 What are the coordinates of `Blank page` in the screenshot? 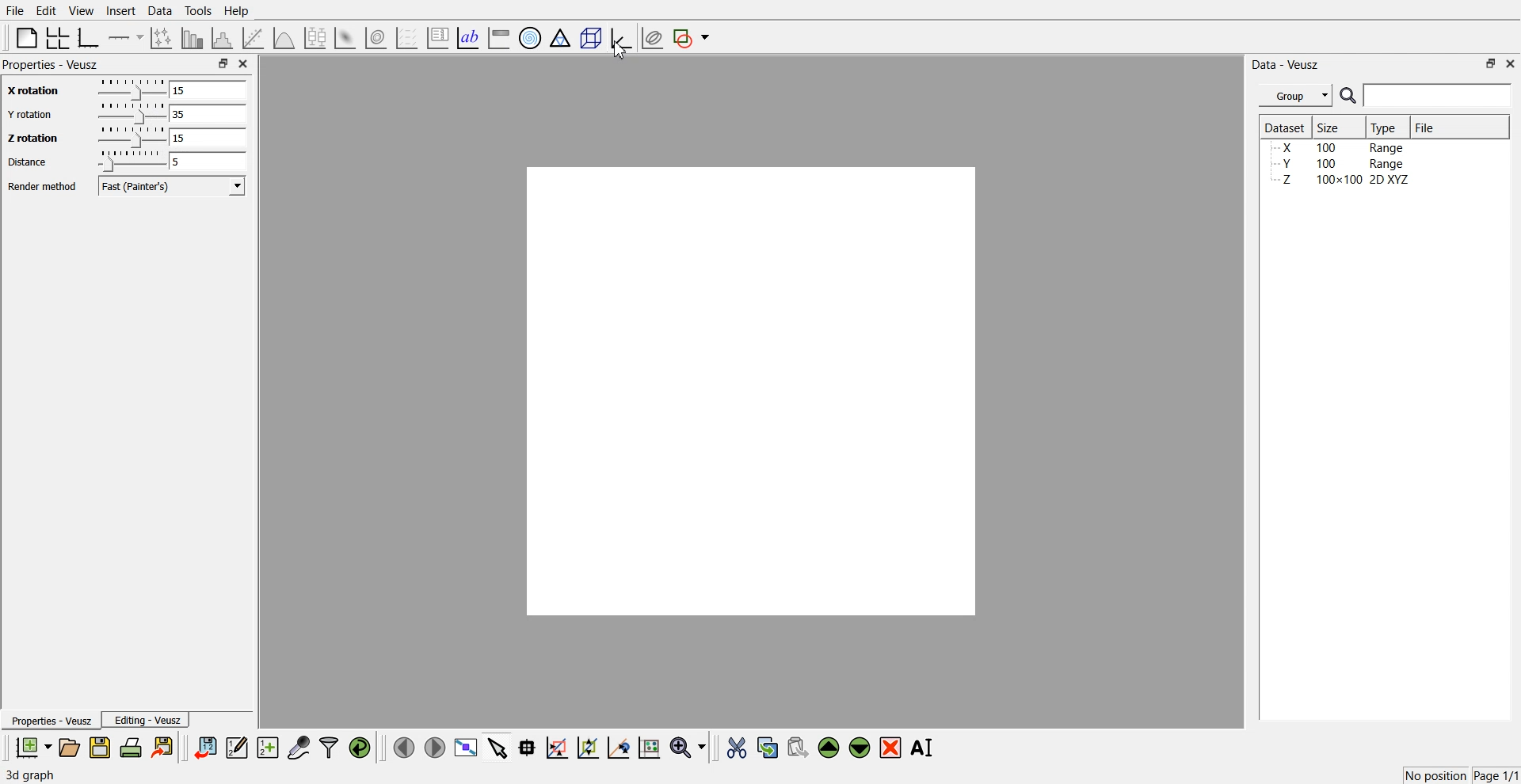 It's located at (27, 37).